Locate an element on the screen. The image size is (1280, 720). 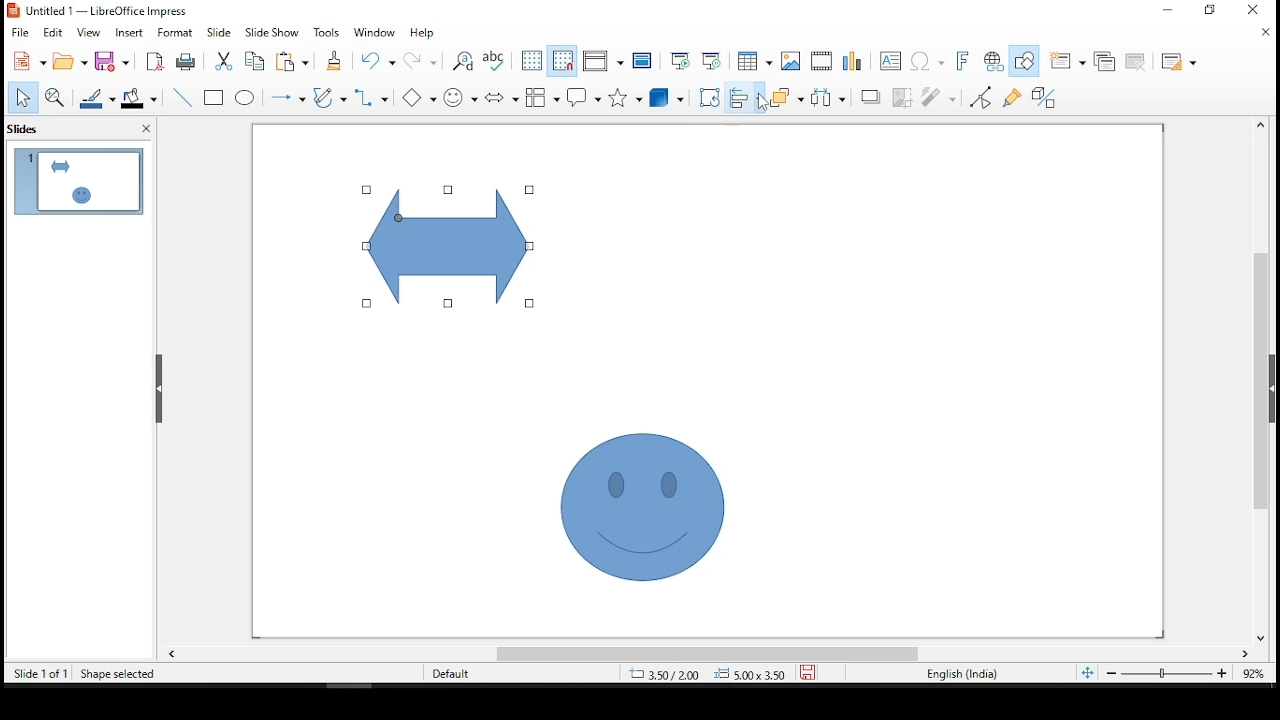
0.00x0.00 is located at coordinates (749, 672).